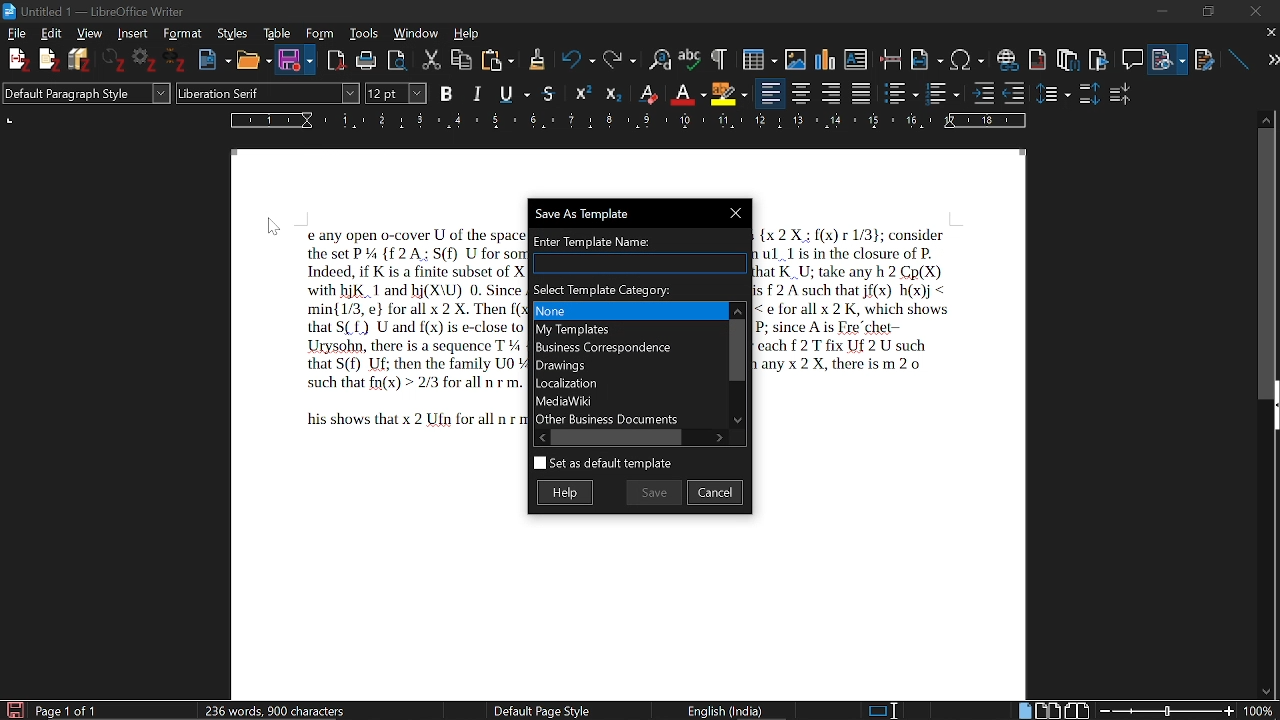  I want to click on change zoom, so click(1185, 710).